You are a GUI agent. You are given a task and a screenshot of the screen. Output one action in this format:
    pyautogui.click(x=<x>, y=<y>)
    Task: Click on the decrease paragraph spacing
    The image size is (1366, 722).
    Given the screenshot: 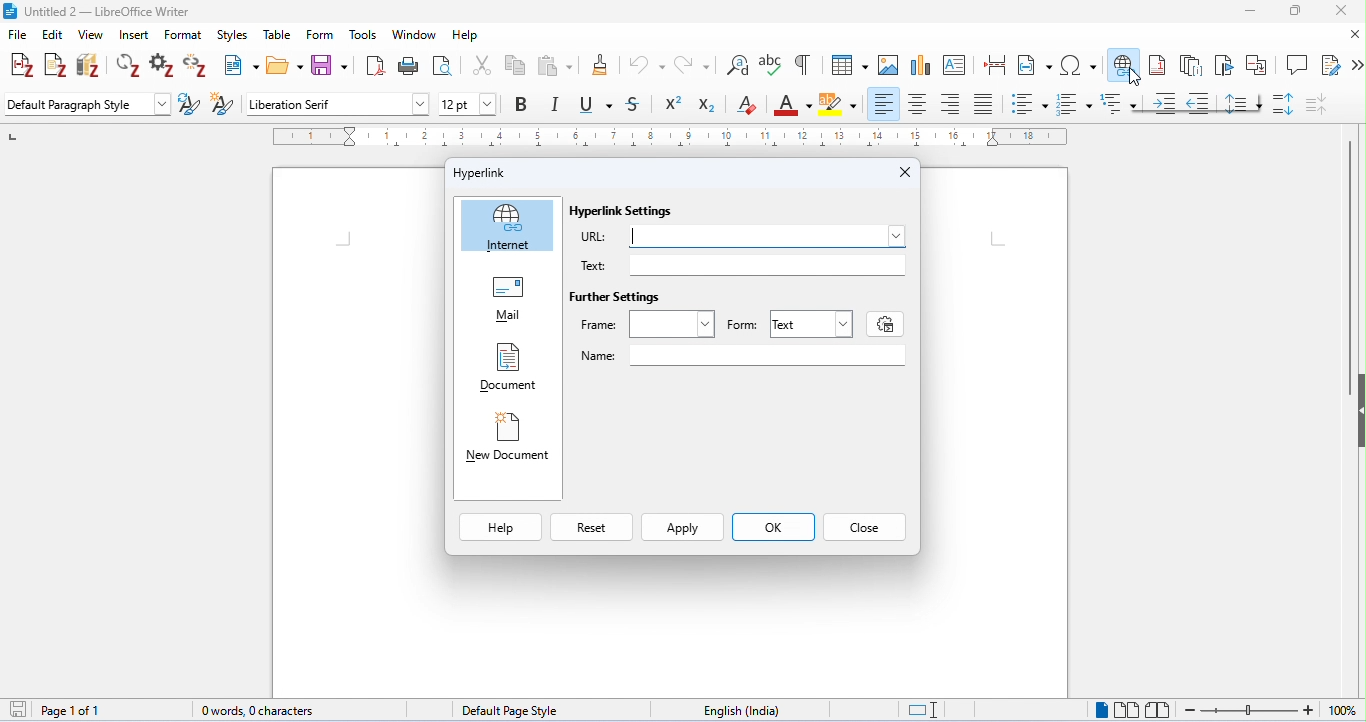 What is the action you would take?
    pyautogui.click(x=1316, y=103)
    